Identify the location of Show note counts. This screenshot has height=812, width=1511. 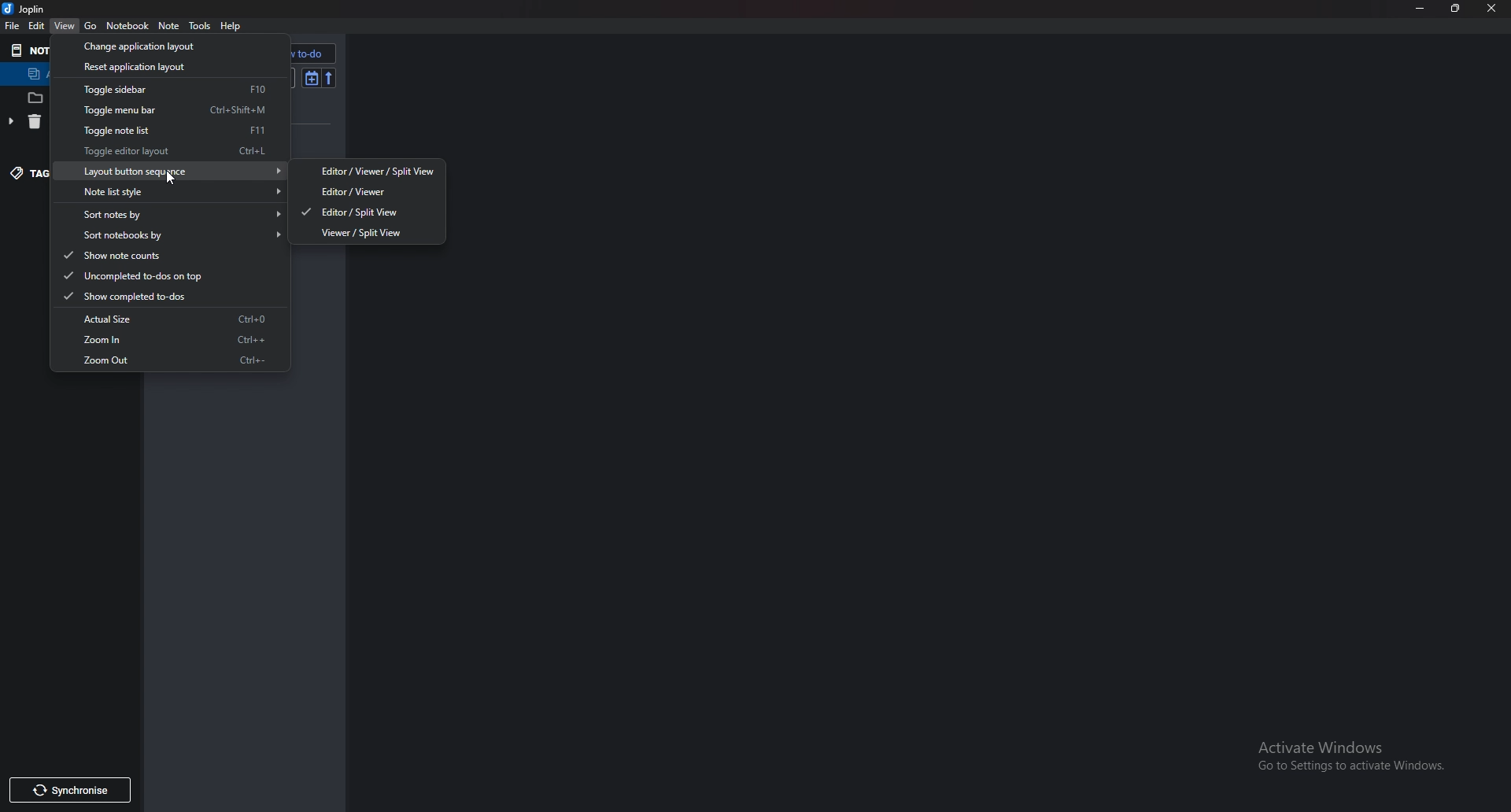
(123, 255).